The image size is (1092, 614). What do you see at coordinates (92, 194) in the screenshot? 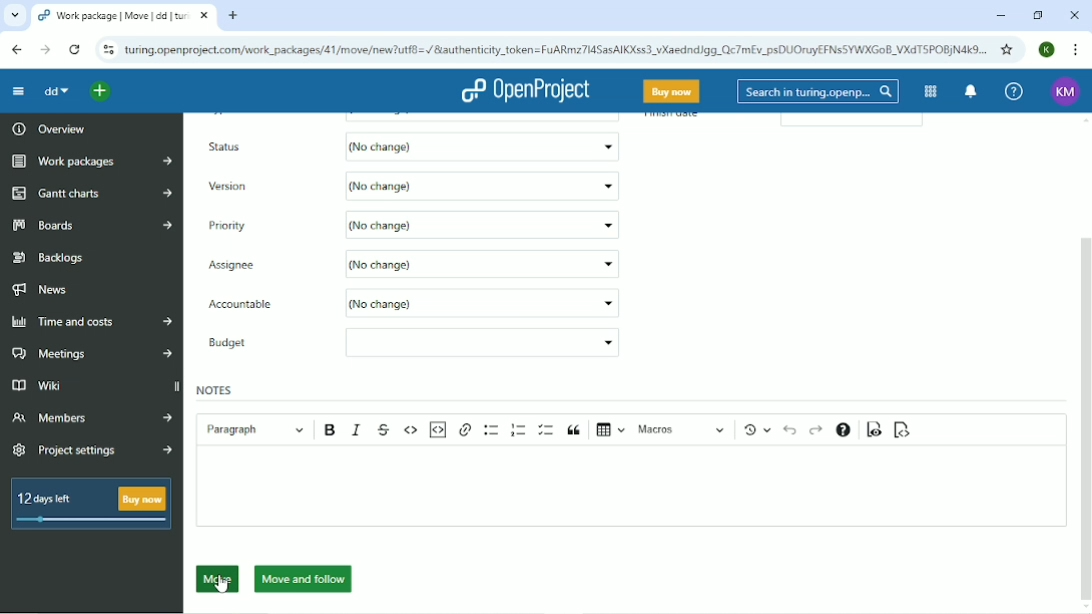
I see `Gantt charts` at bounding box center [92, 194].